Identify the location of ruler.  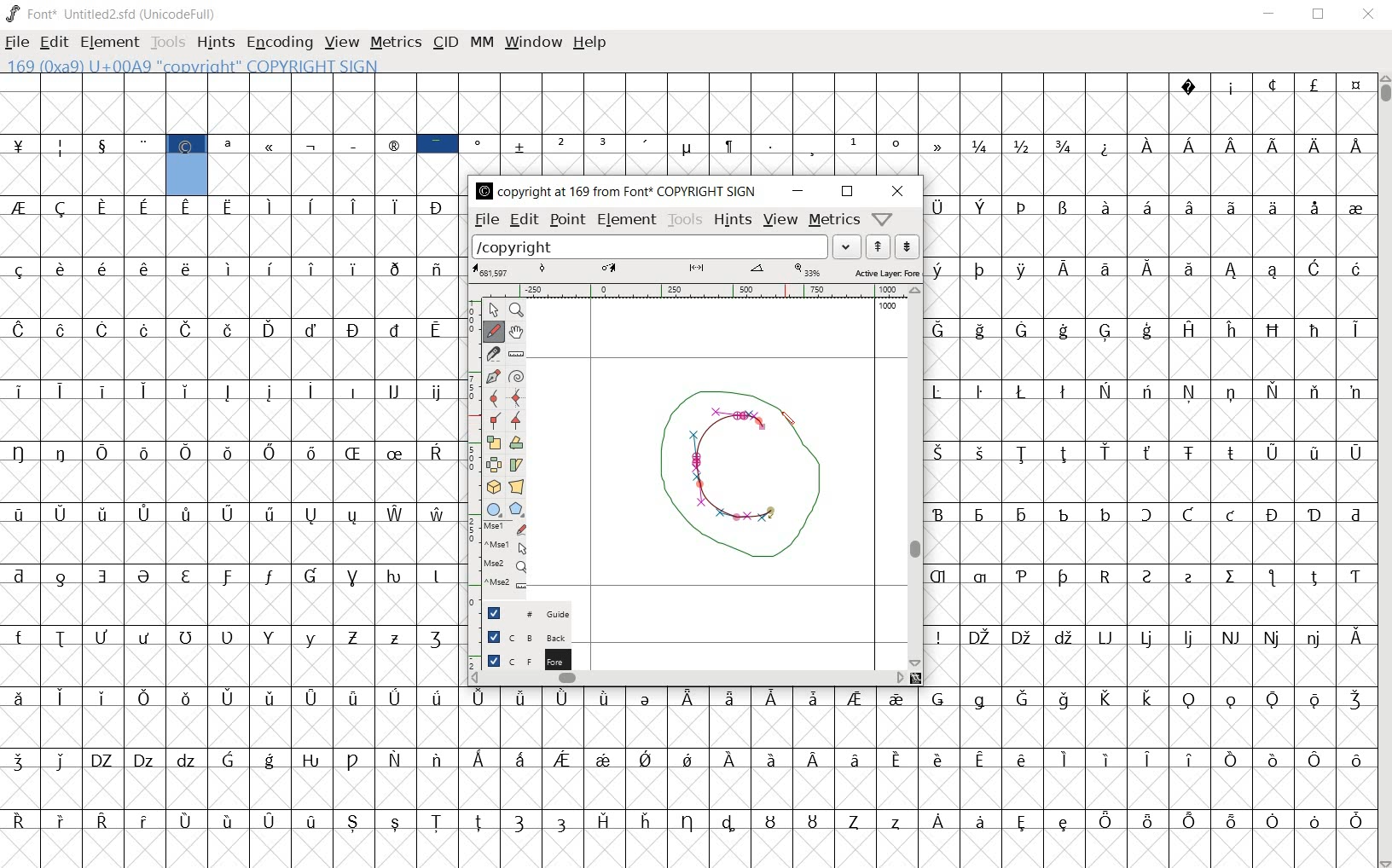
(694, 291).